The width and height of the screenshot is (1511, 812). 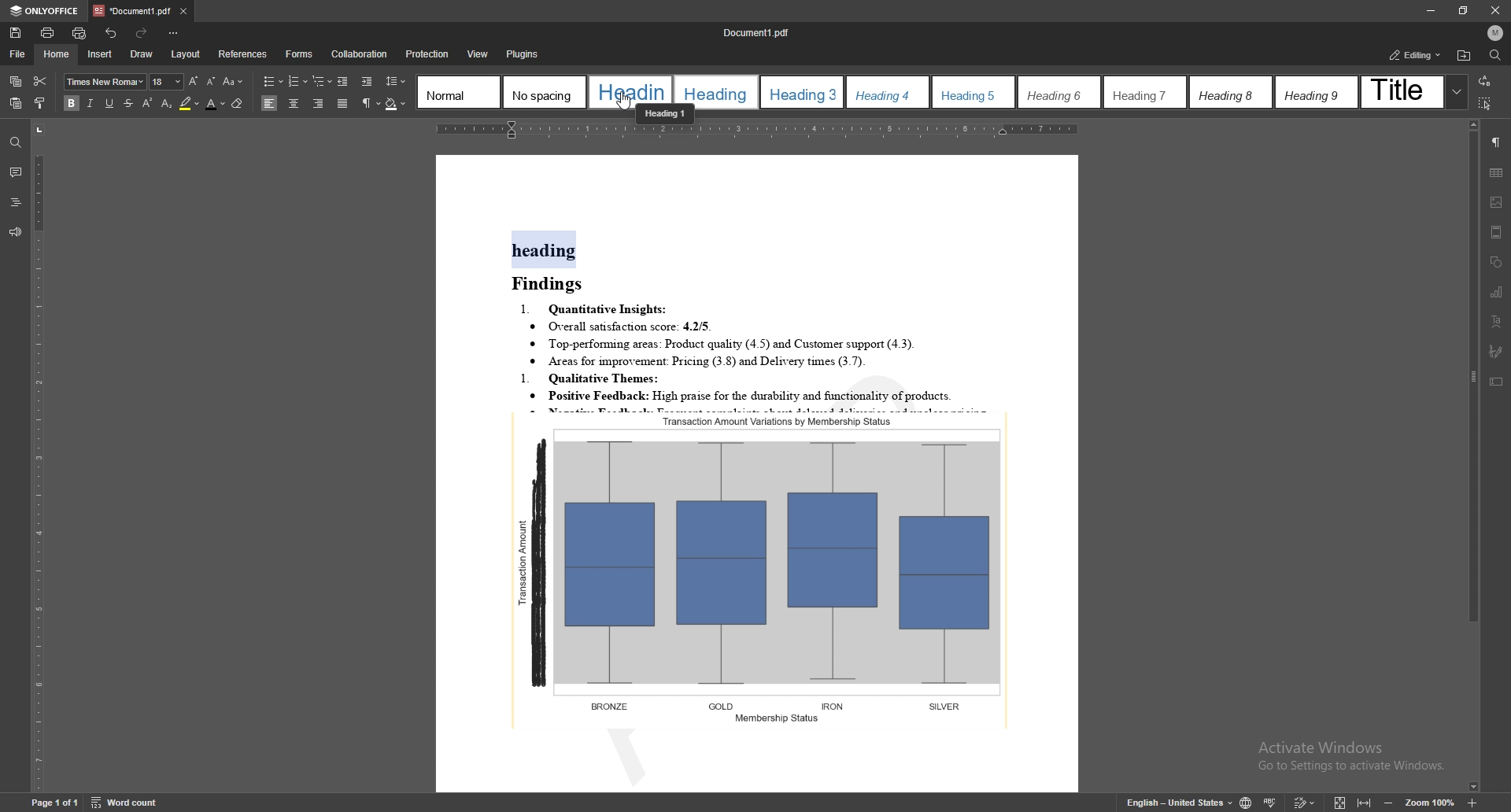 What do you see at coordinates (42, 102) in the screenshot?
I see `copy style` at bounding box center [42, 102].